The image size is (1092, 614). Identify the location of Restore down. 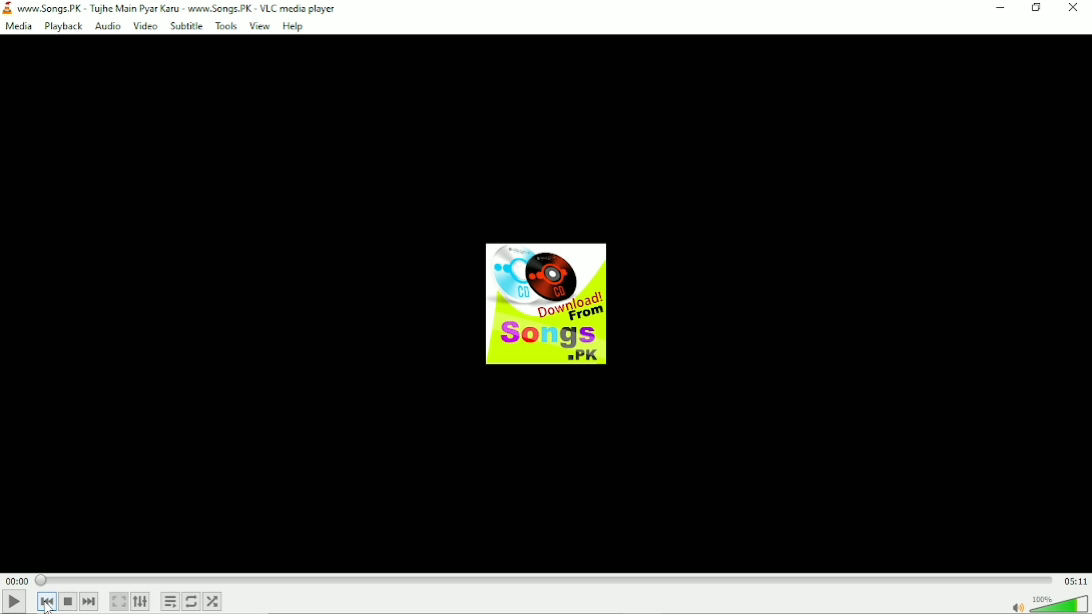
(1038, 8).